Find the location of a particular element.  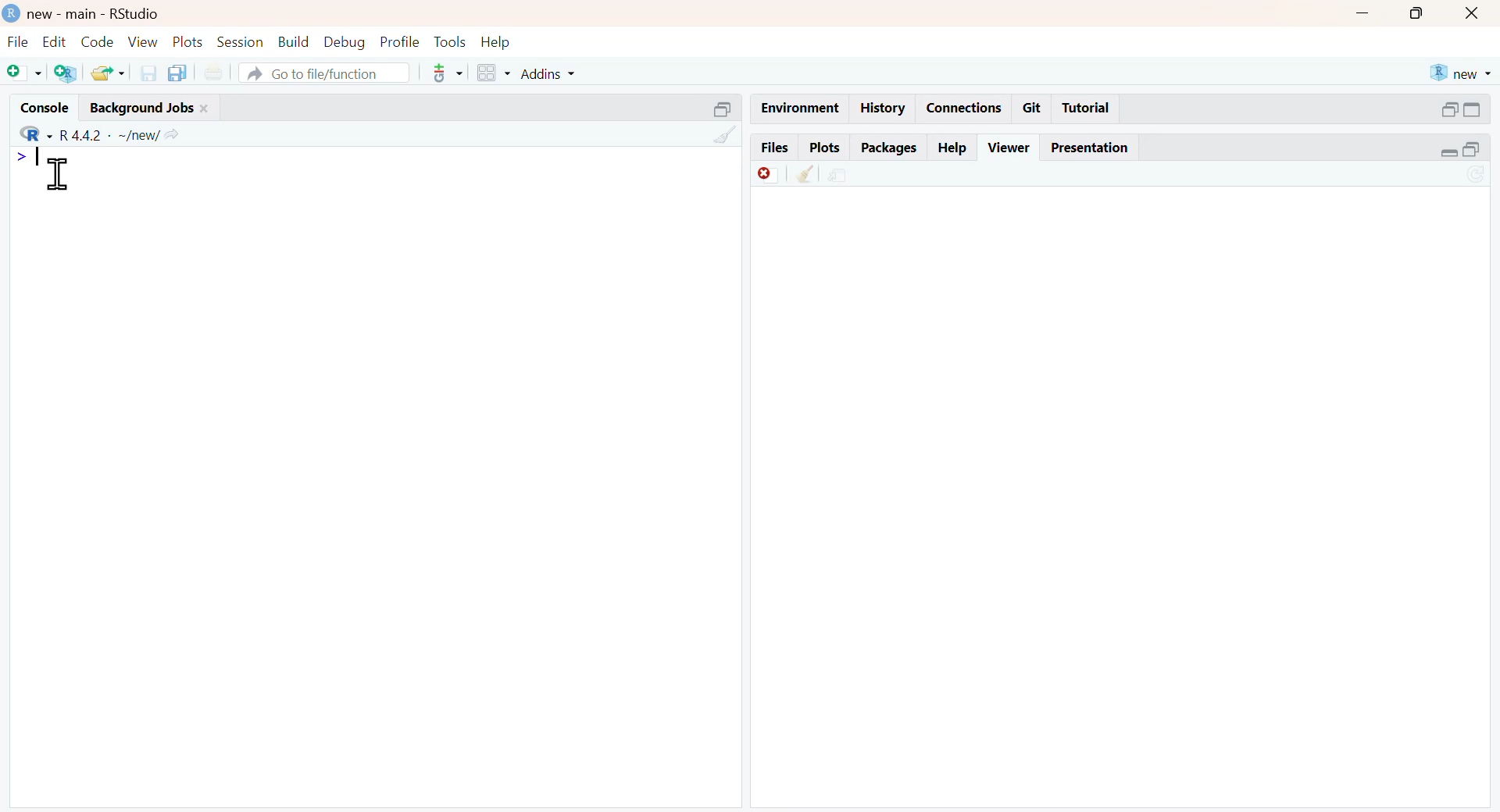

print is located at coordinates (214, 72).